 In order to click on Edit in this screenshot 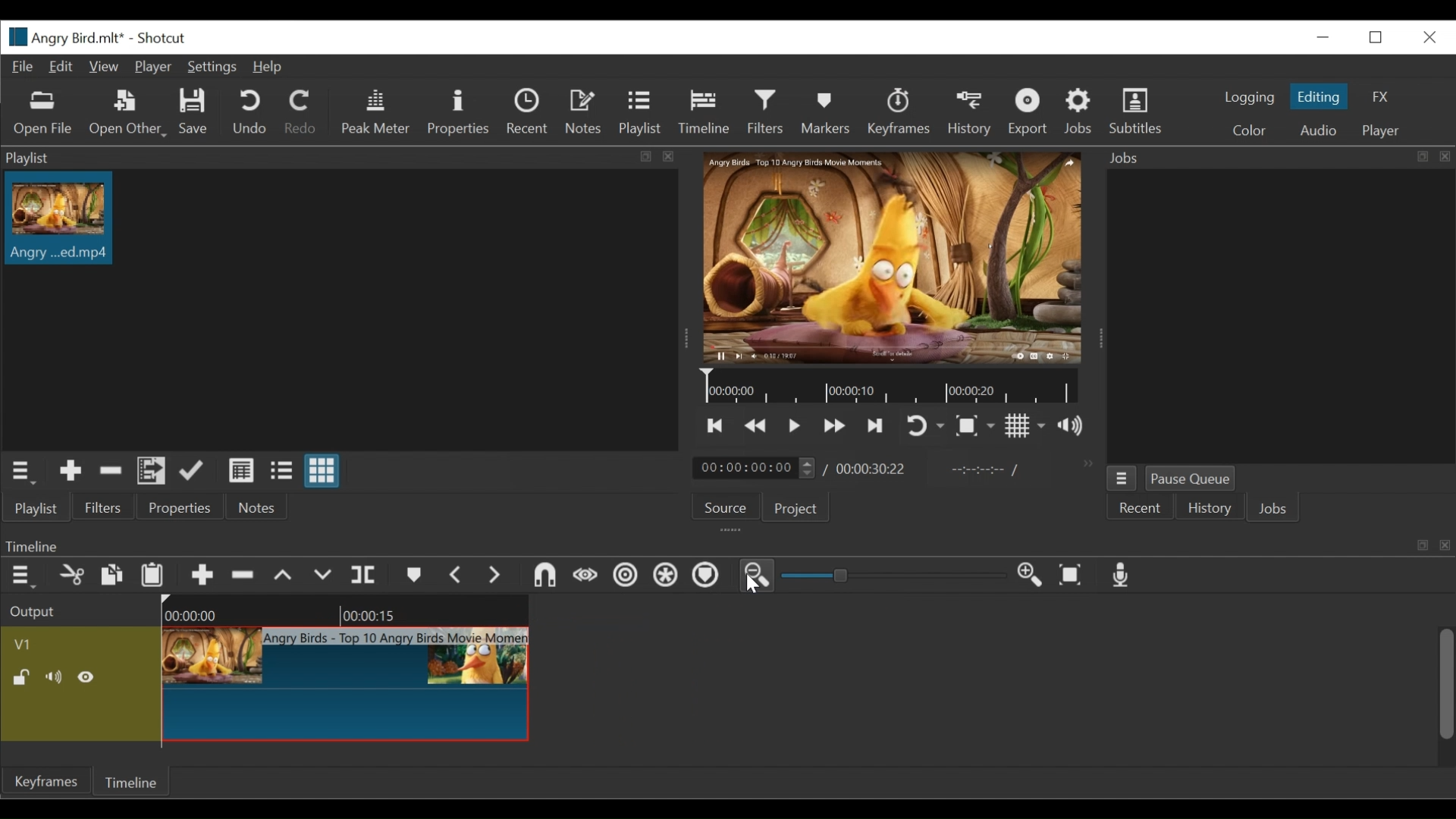, I will do `click(61, 67)`.